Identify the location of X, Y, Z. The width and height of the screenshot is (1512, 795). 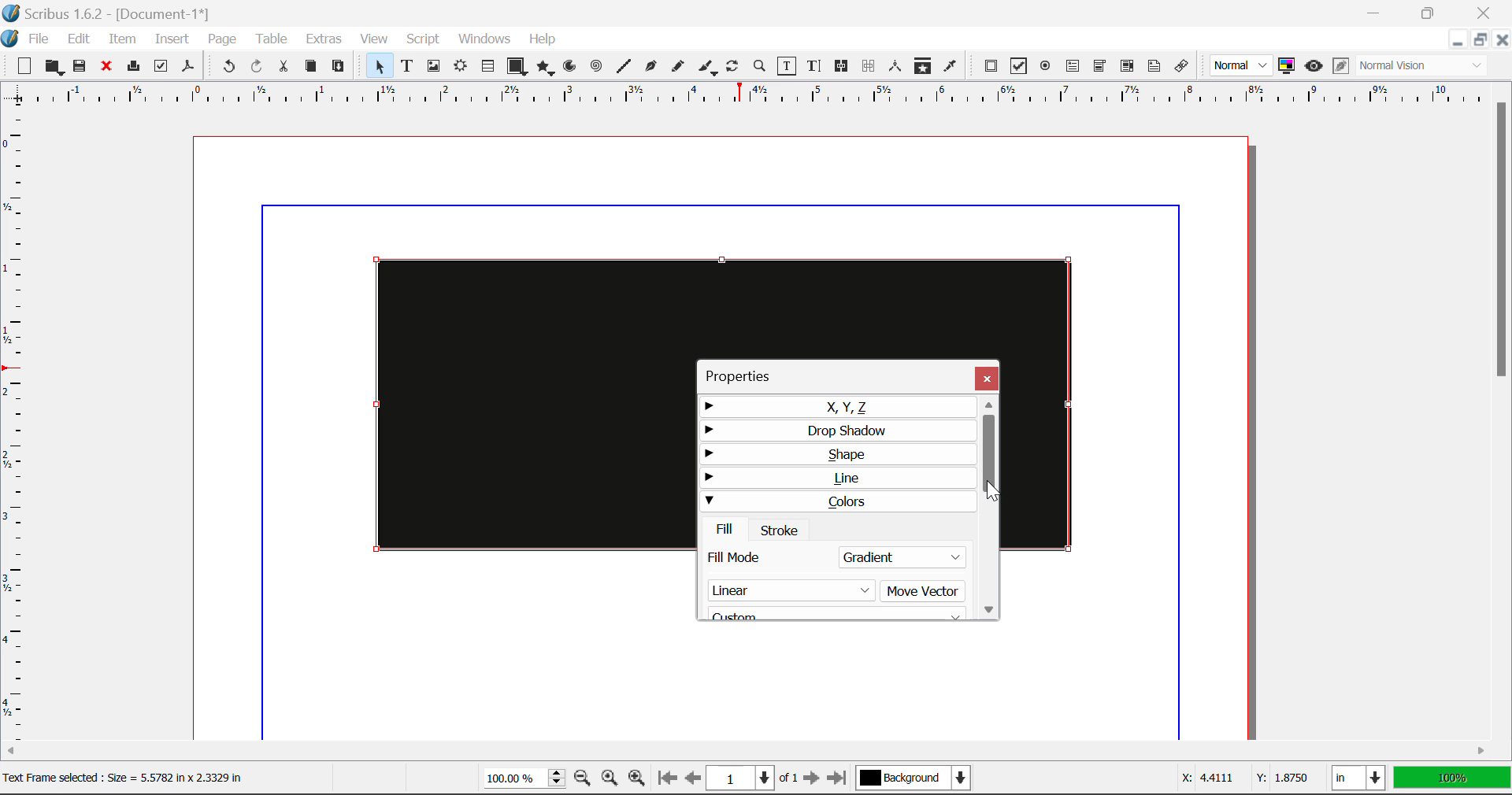
(838, 407).